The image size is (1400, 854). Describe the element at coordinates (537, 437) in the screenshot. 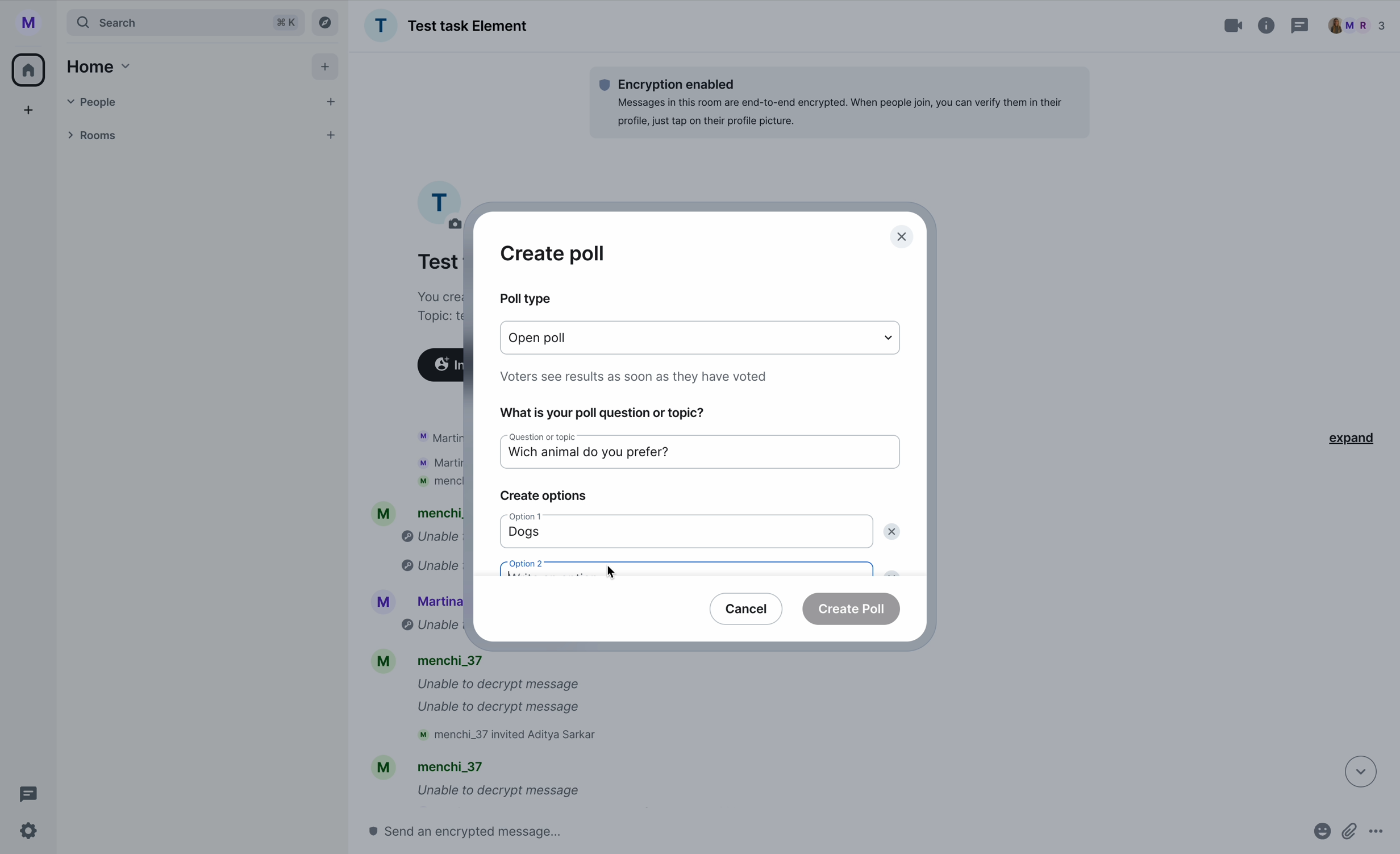

I see `question or topic` at that location.